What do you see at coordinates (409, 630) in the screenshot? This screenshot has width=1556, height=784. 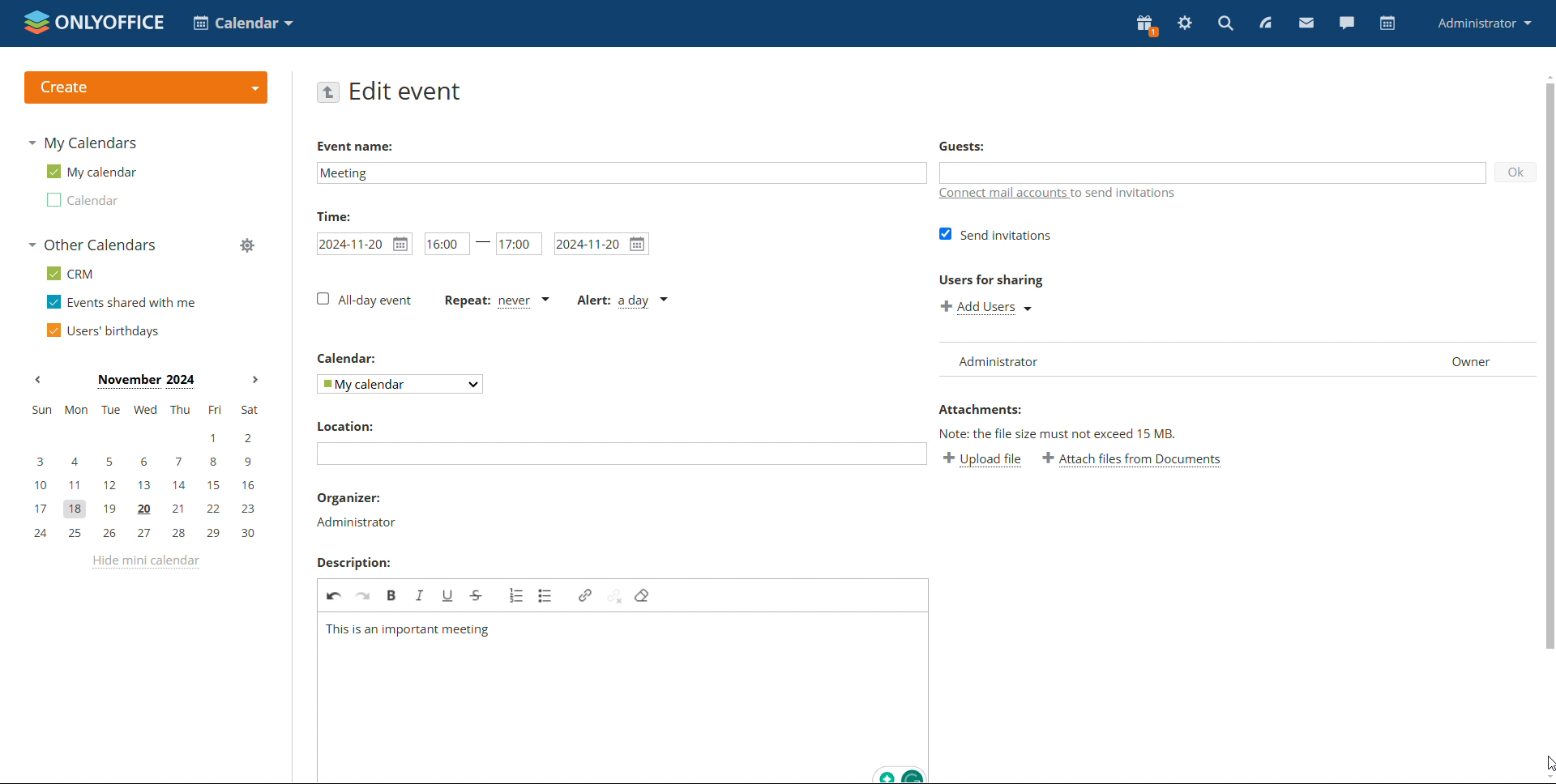 I see `description added` at bounding box center [409, 630].